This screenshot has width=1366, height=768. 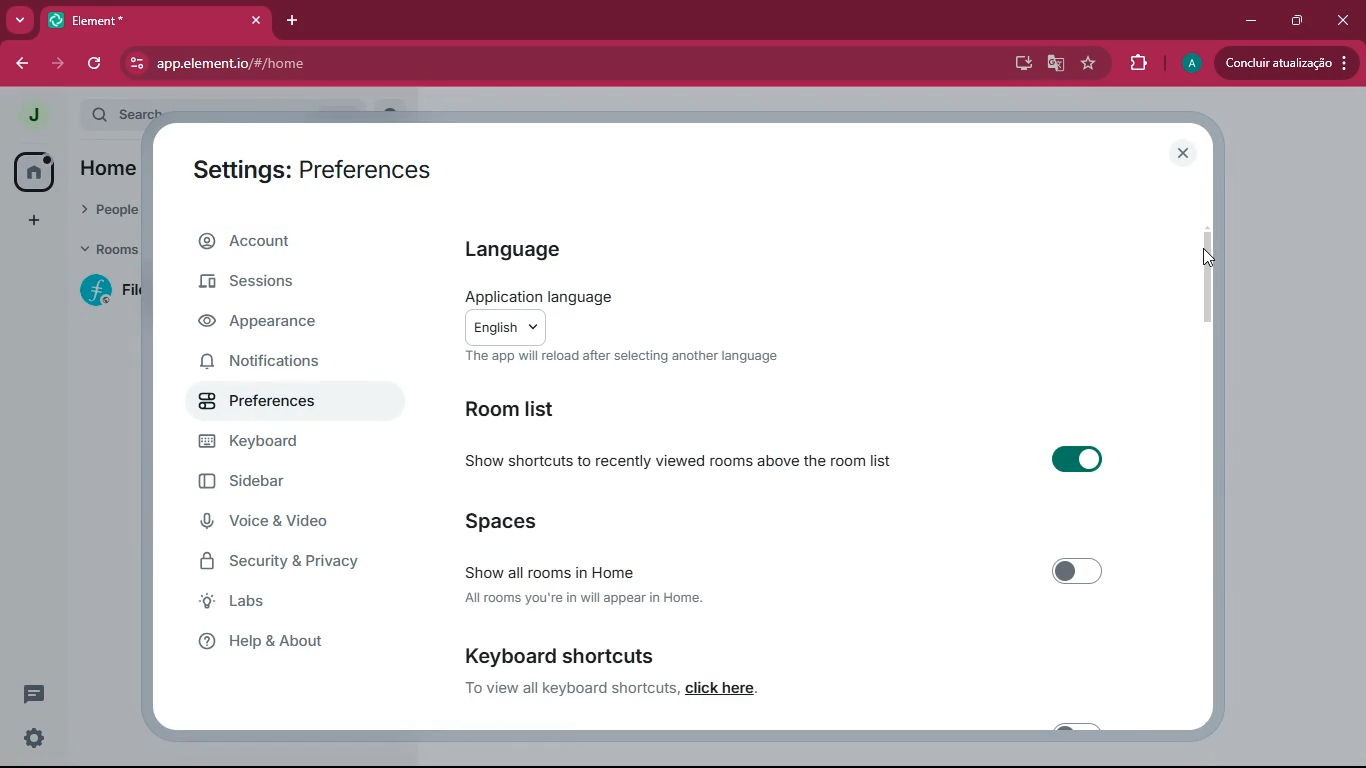 I want to click on english, so click(x=503, y=327).